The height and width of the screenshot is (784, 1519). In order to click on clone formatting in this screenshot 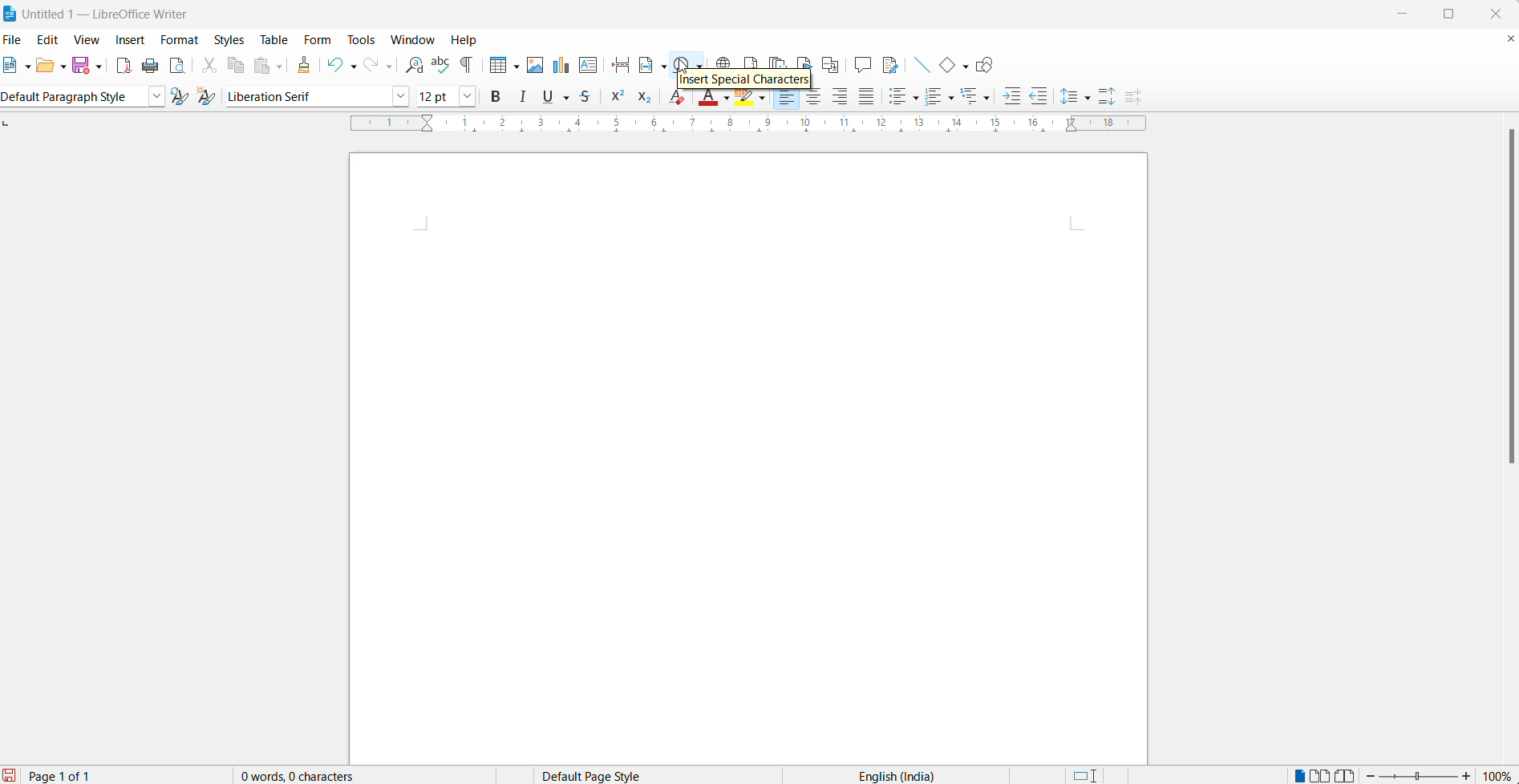, I will do `click(307, 66)`.